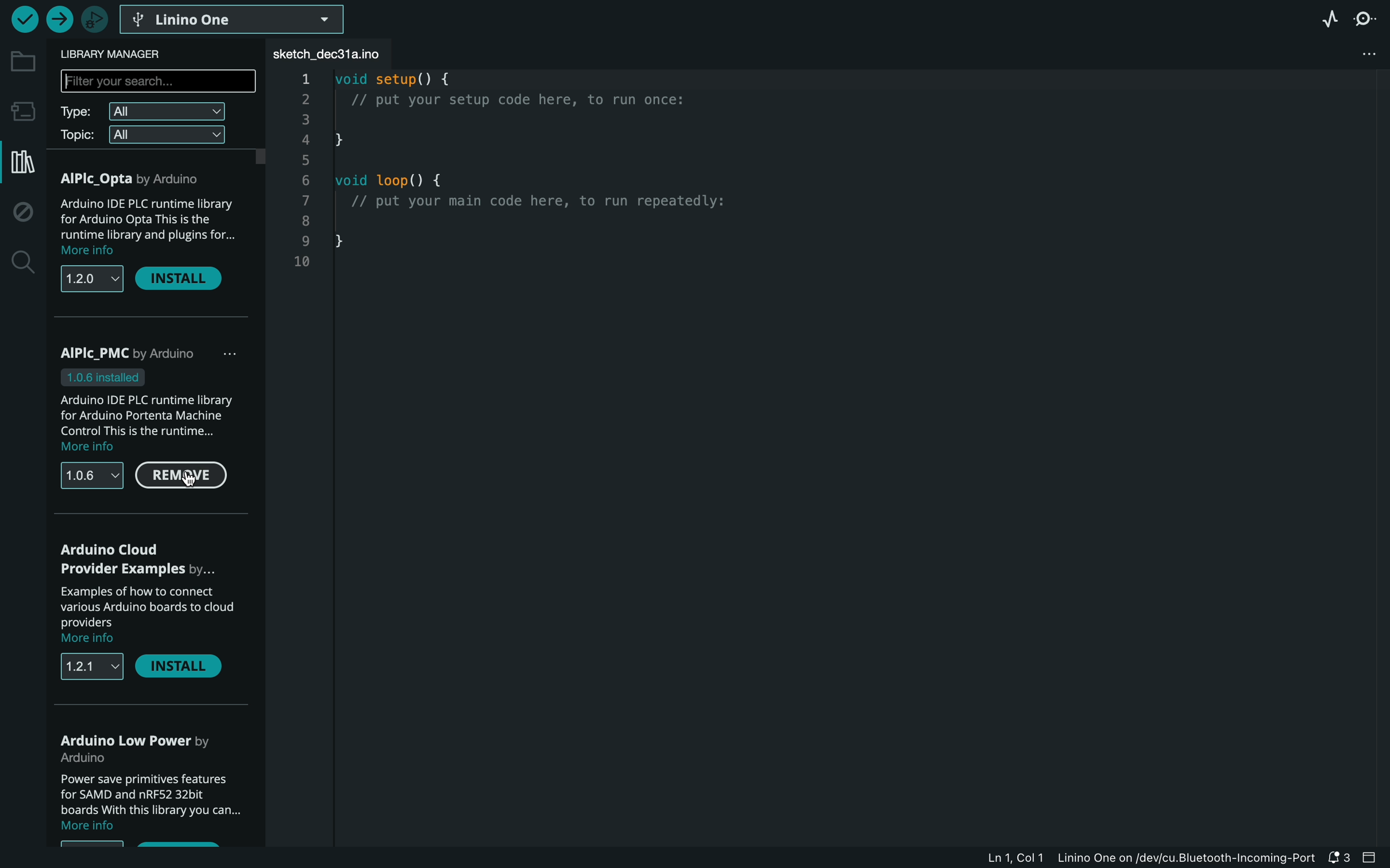 The width and height of the screenshot is (1390, 868). I want to click on verify, so click(25, 19).